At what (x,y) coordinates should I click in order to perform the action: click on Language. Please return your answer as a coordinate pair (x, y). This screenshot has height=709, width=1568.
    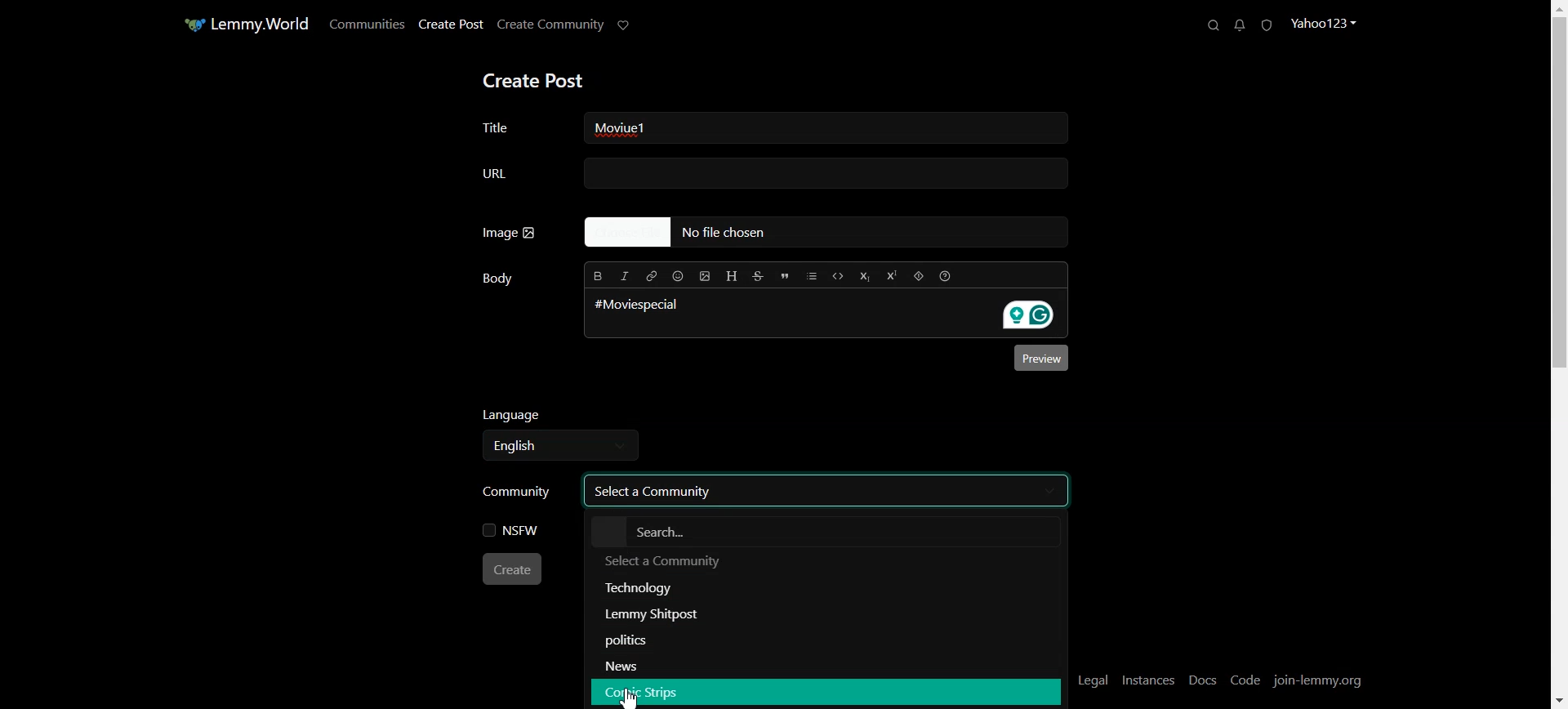
    Looking at the image, I should click on (566, 416).